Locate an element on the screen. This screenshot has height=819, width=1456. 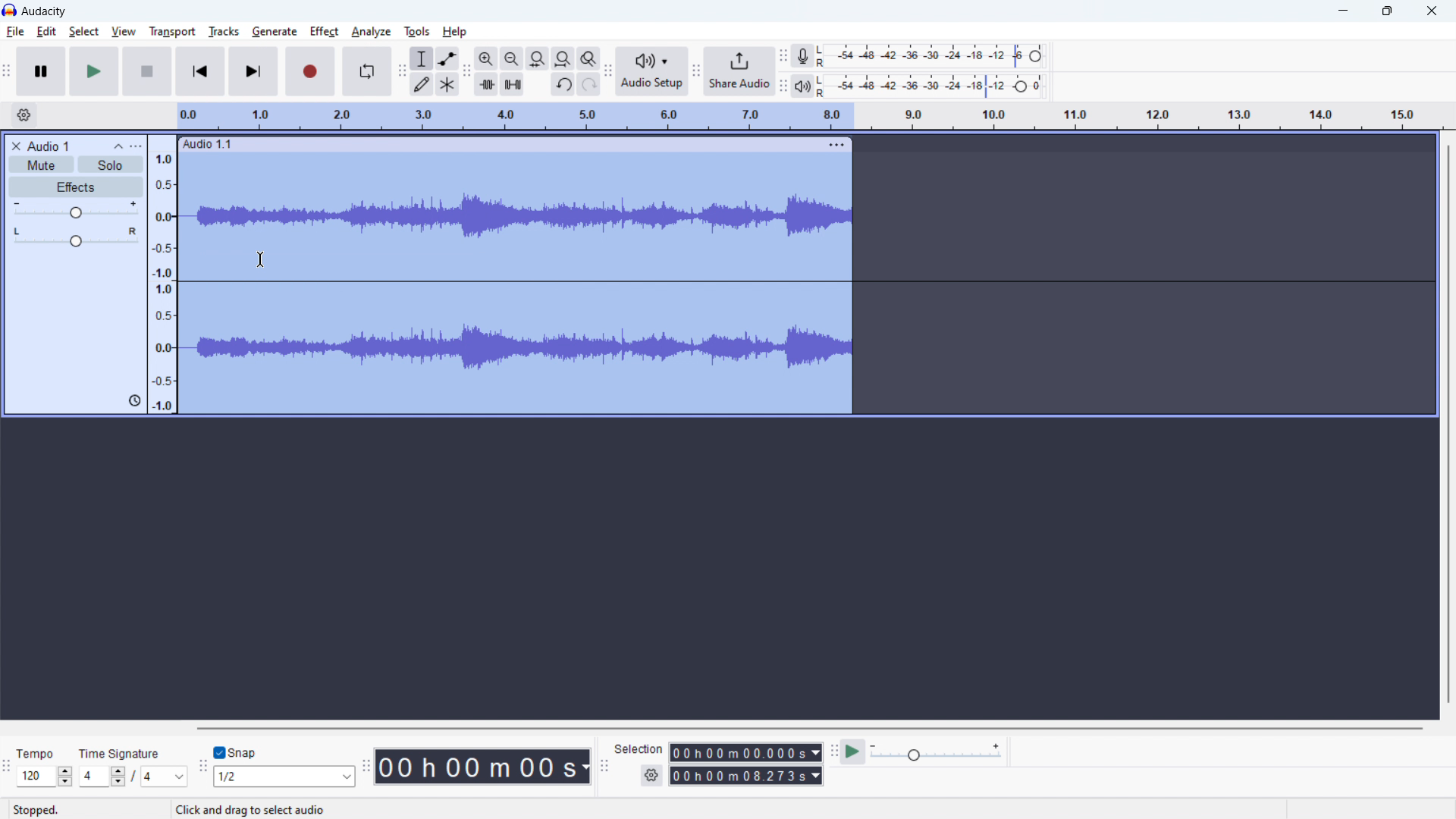
edit toolbar is located at coordinates (466, 71).